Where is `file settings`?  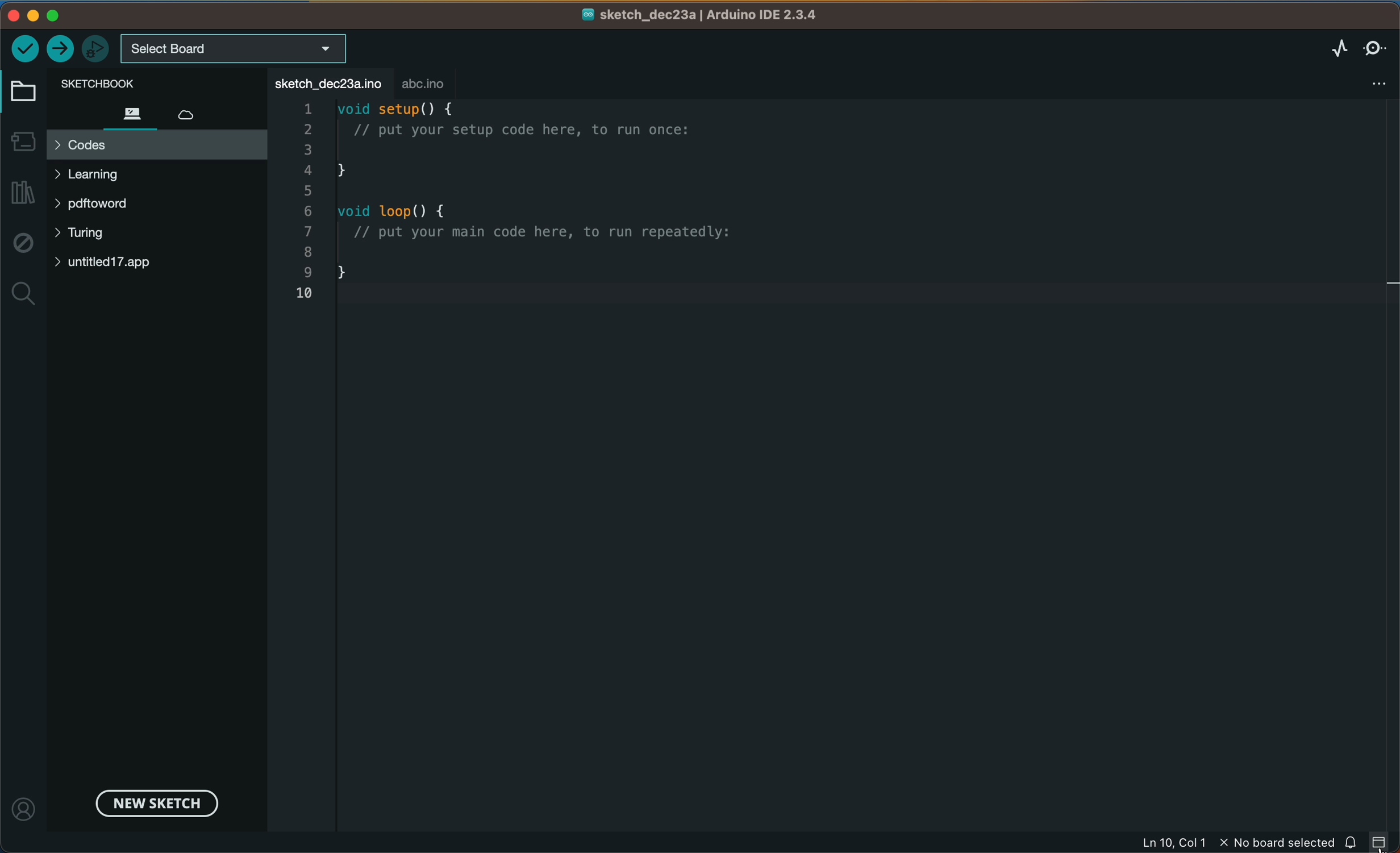 file settings is located at coordinates (1380, 82).